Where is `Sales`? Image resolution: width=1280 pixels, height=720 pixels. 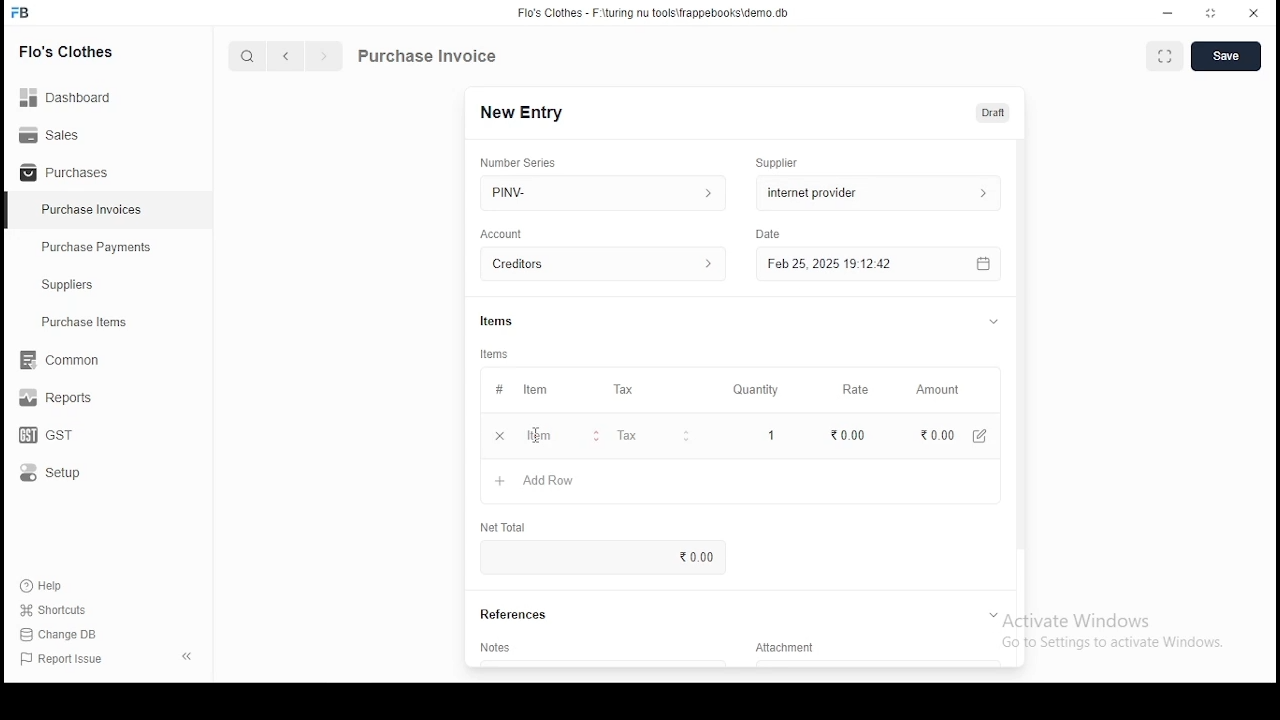
Sales is located at coordinates (55, 133).